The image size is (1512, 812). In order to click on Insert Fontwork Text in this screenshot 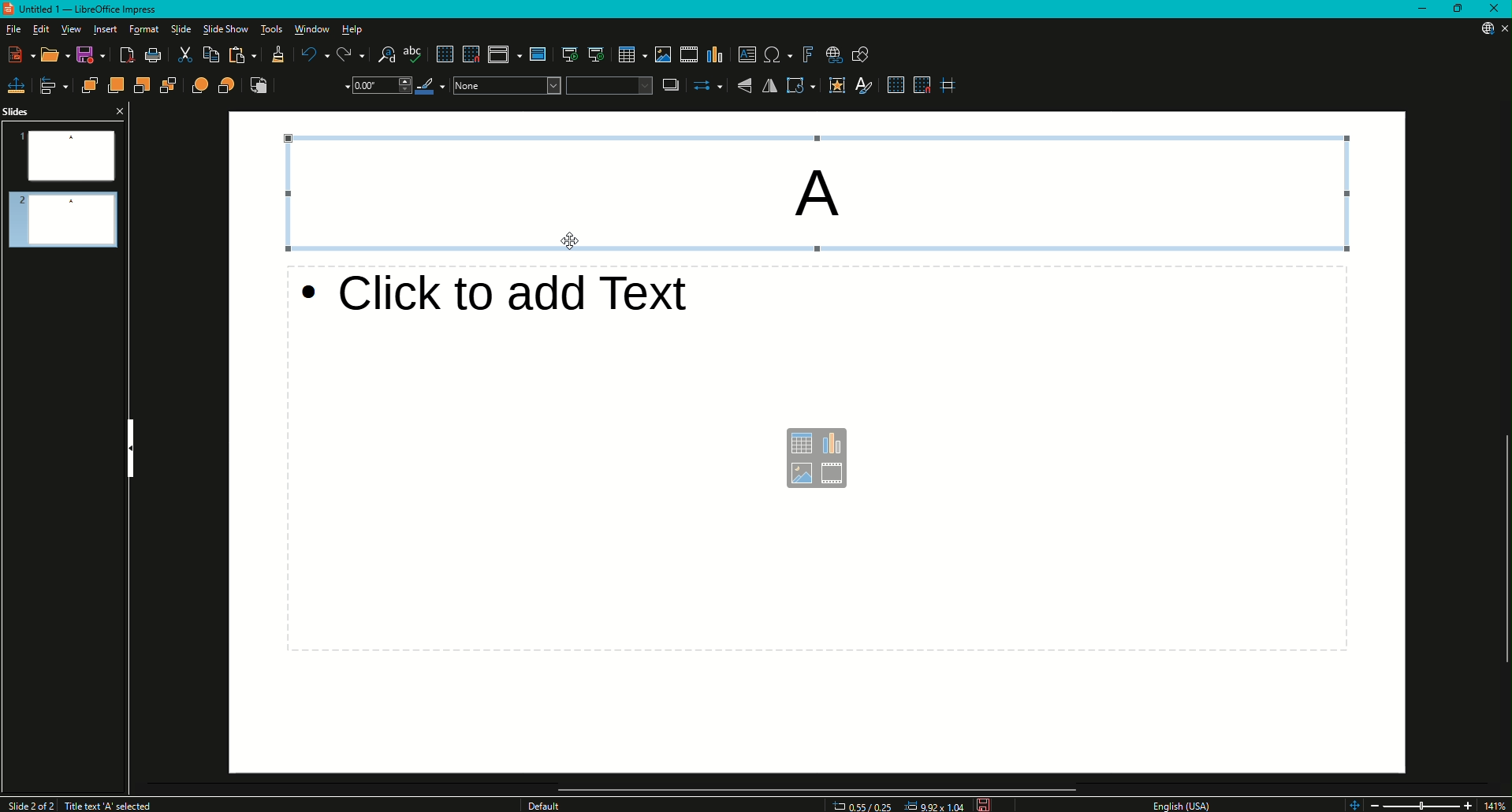, I will do `click(807, 54)`.